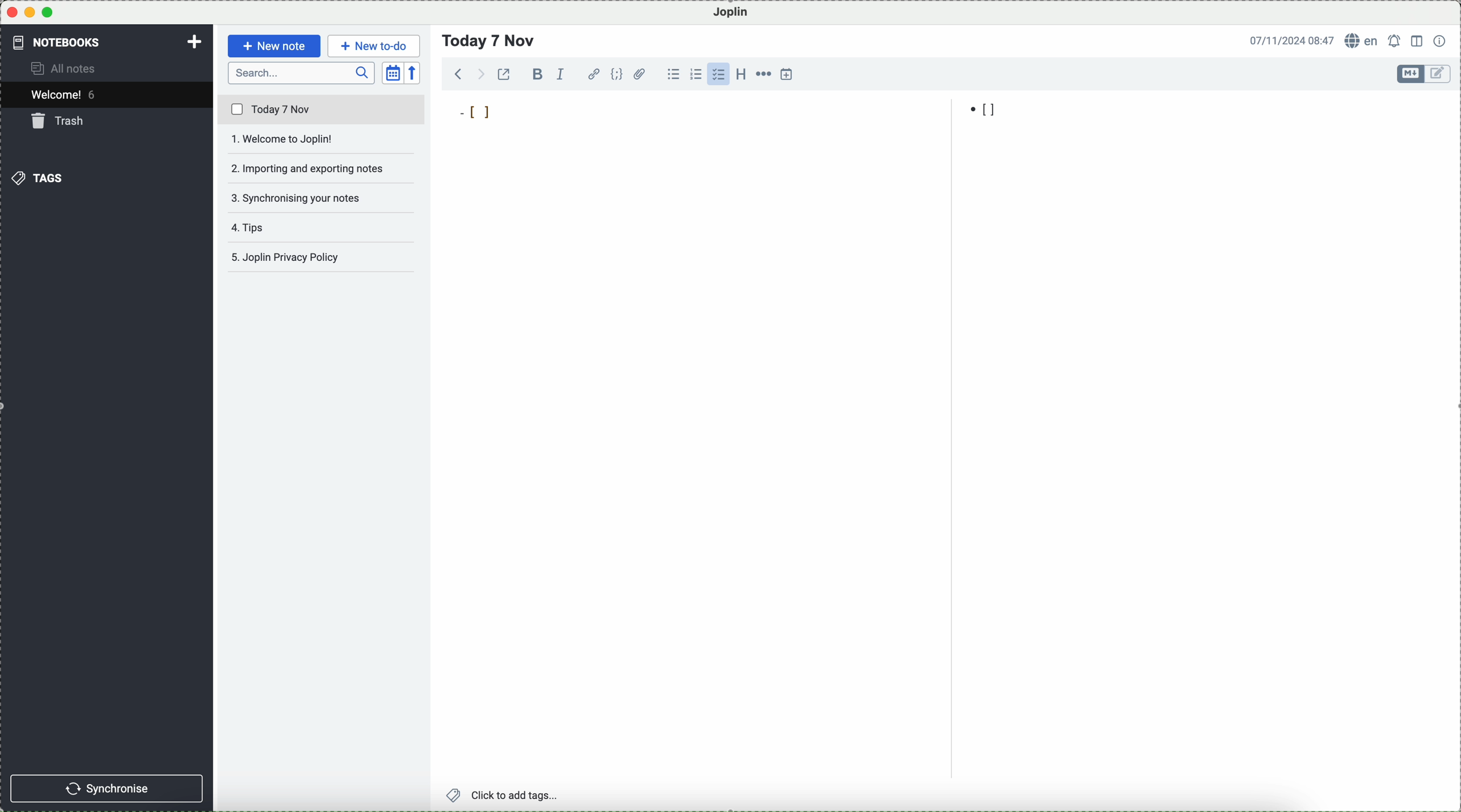 Image resolution: width=1461 pixels, height=812 pixels. I want to click on checkbox, so click(718, 74).